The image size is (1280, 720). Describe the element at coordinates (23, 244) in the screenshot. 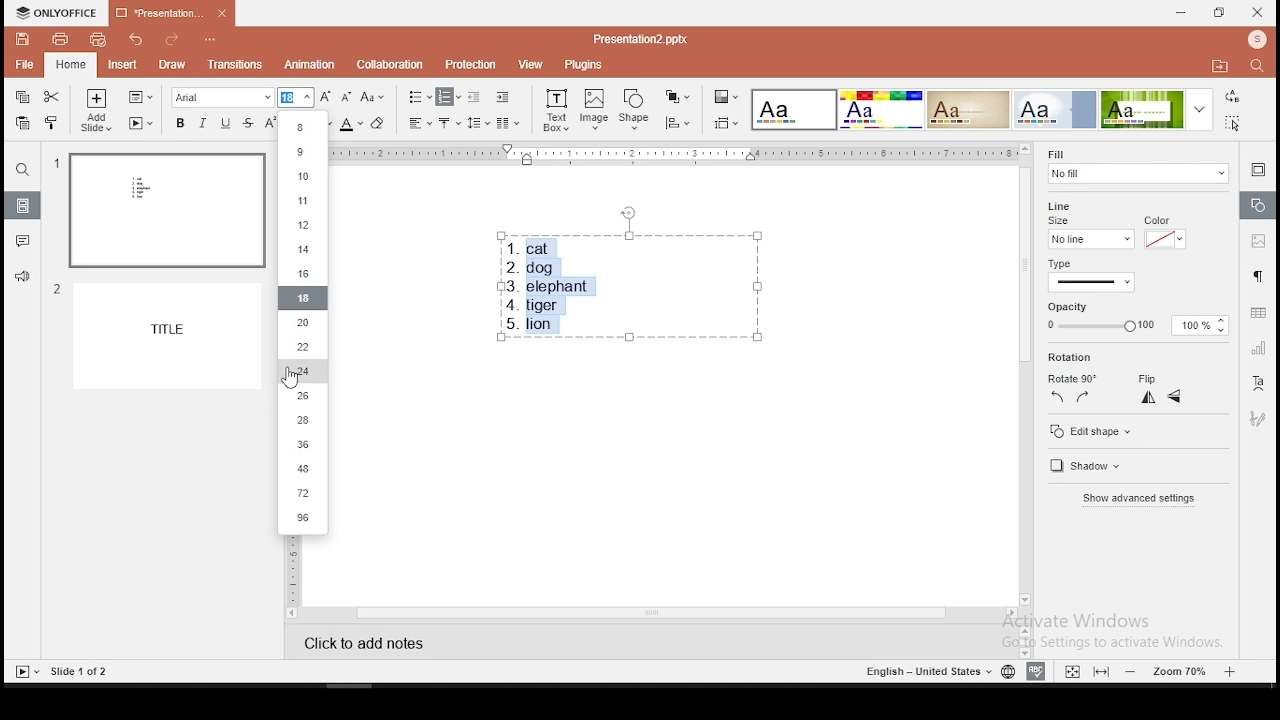

I see `comments` at that location.